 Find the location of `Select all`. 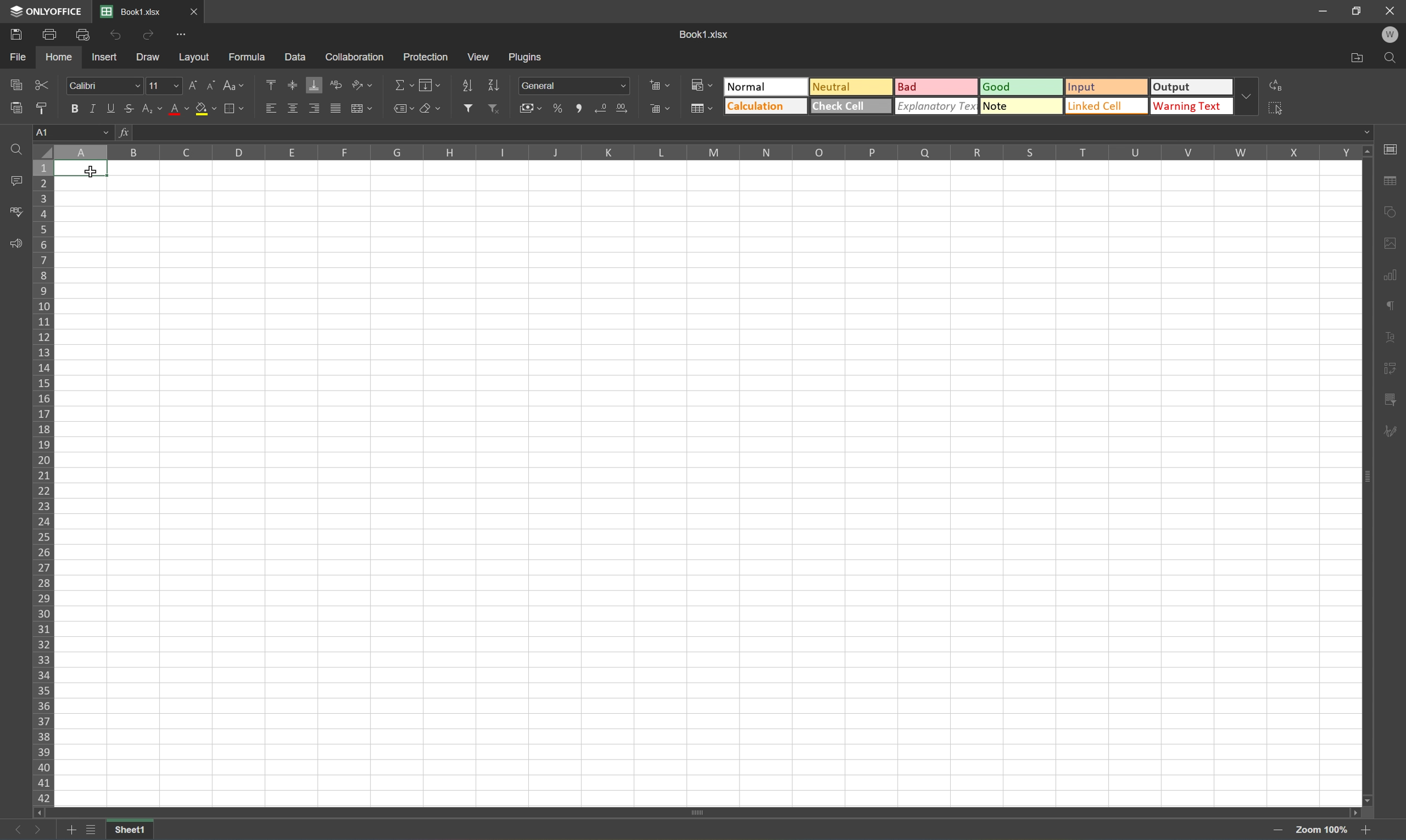

Select all is located at coordinates (1279, 110).